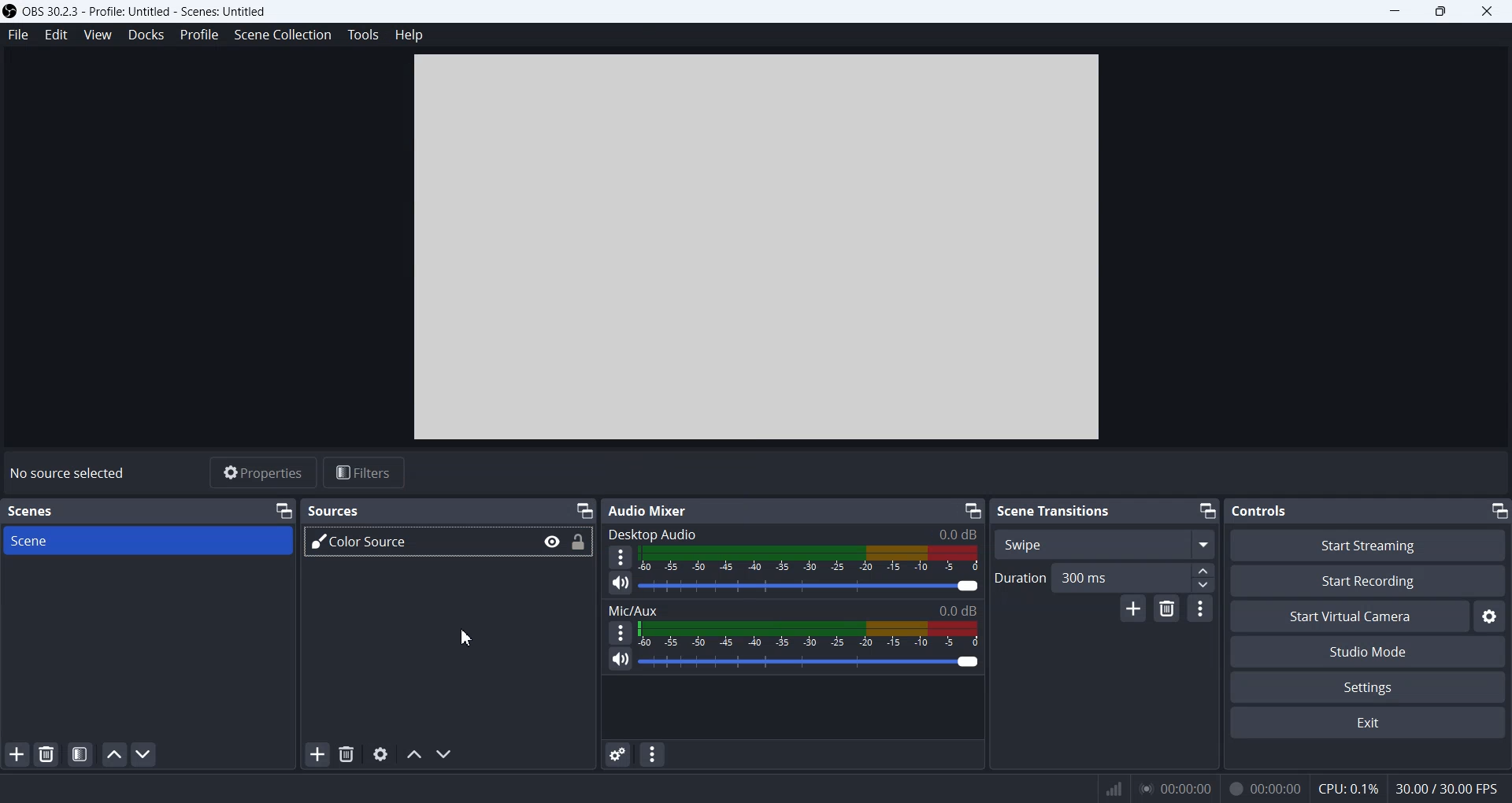 The width and height of the screenshot is (1512, 803). Describe the element at coordinates (1369, 650) in the screenshot. I see `Studio Mode` at that location.